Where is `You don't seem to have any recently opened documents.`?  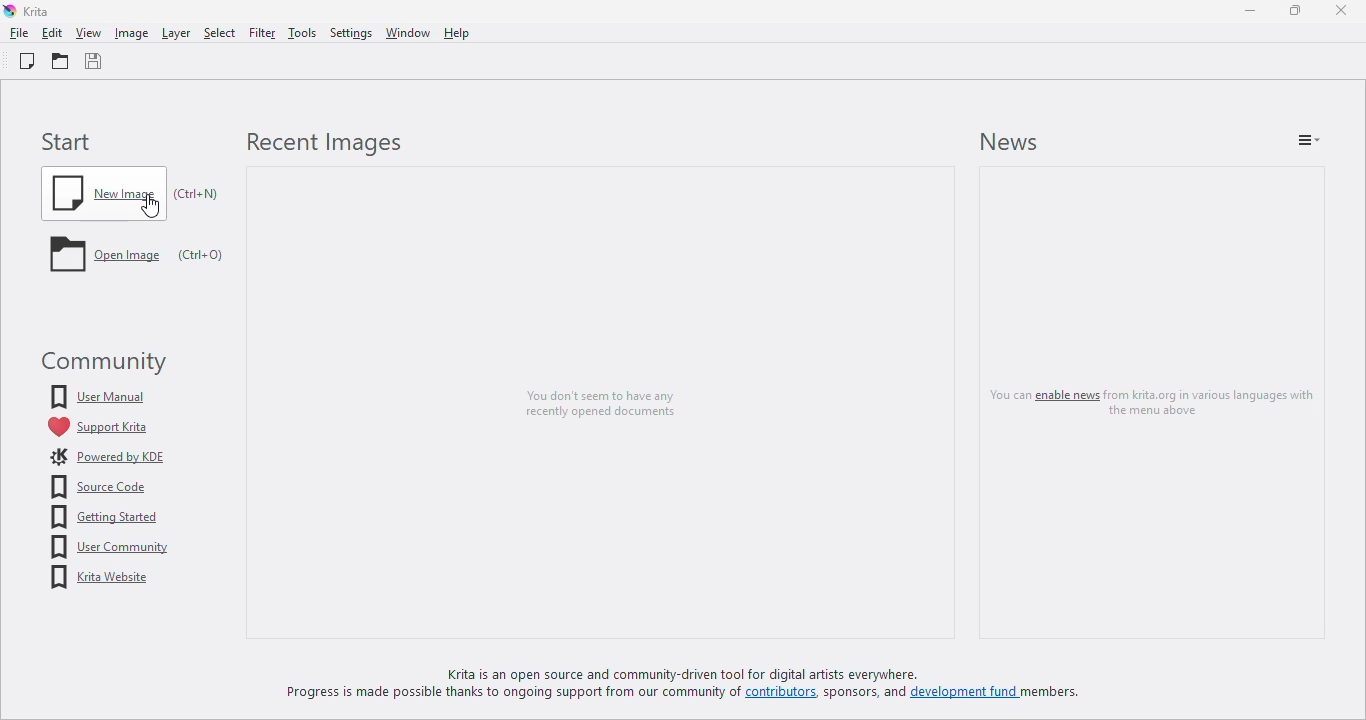
You don't seem to have any recently opened documents. is located at coordinates (595, 393).